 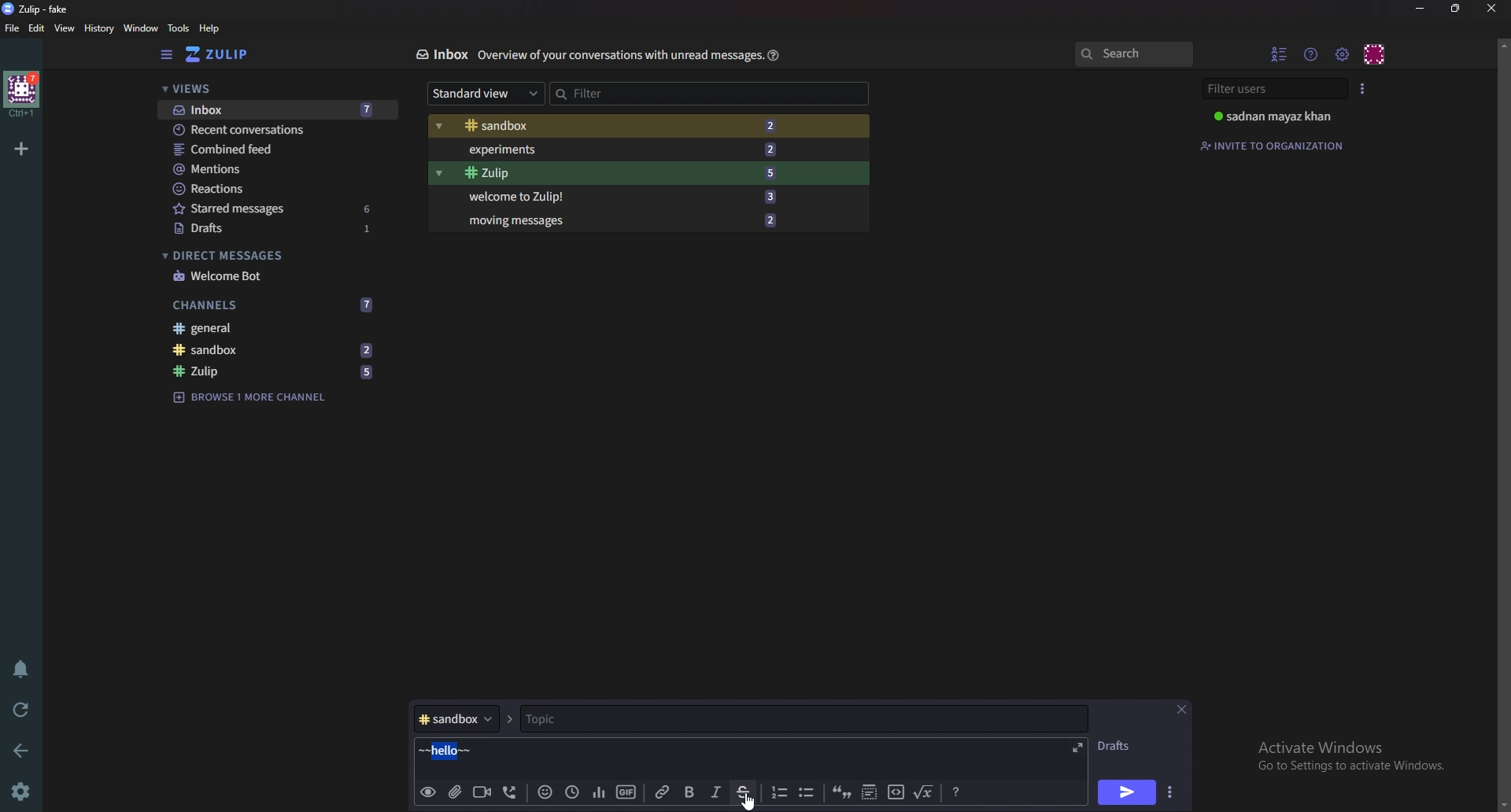 What do you see at coordinates (619, 57) in the screenshot?
I see `overview of your conservations with unread message` at bounding box center [619, 57].